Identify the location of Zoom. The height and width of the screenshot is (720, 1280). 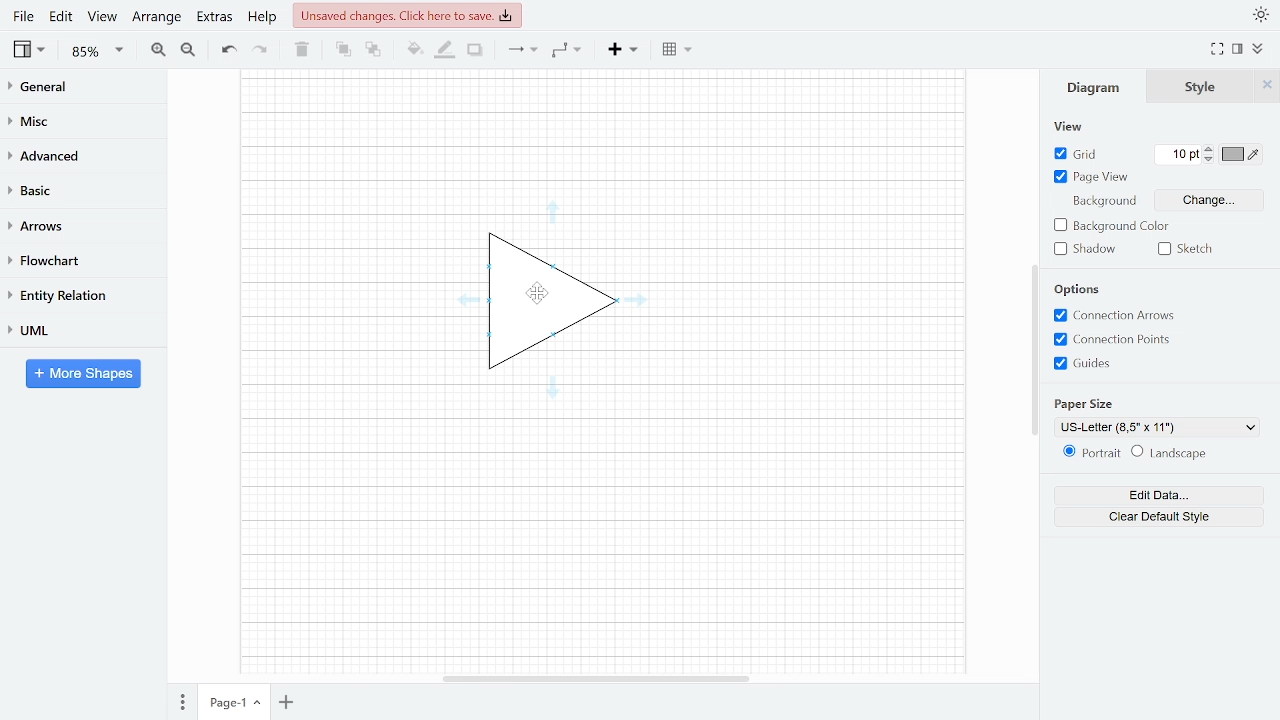
(98, 51).